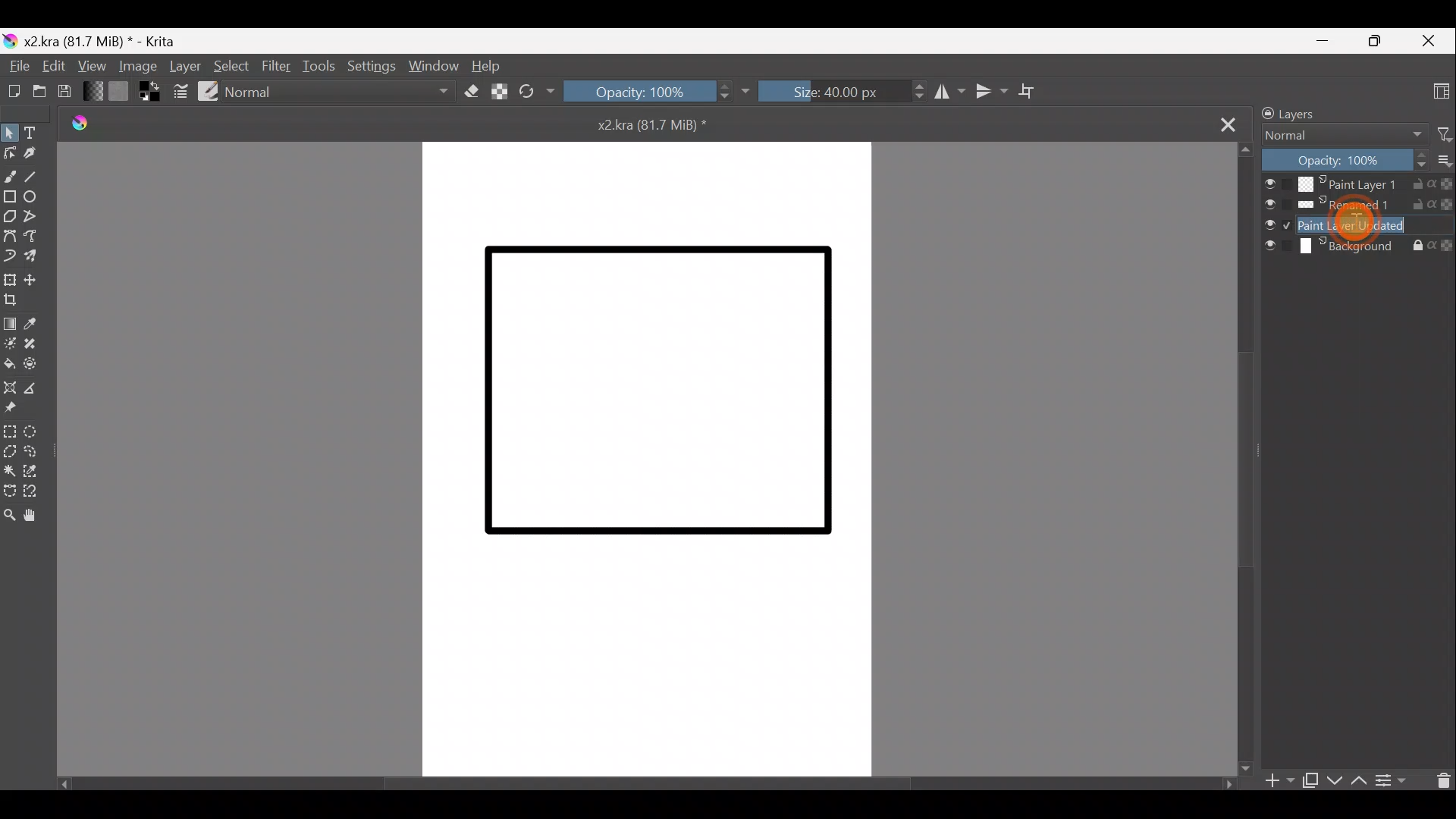 This screenshot has width=1456, height=819. What do you see at coordinates (656, 126) in the screenshot?
I see `x2kra (81.7 MiB) *` at bounding box center [656, 126].